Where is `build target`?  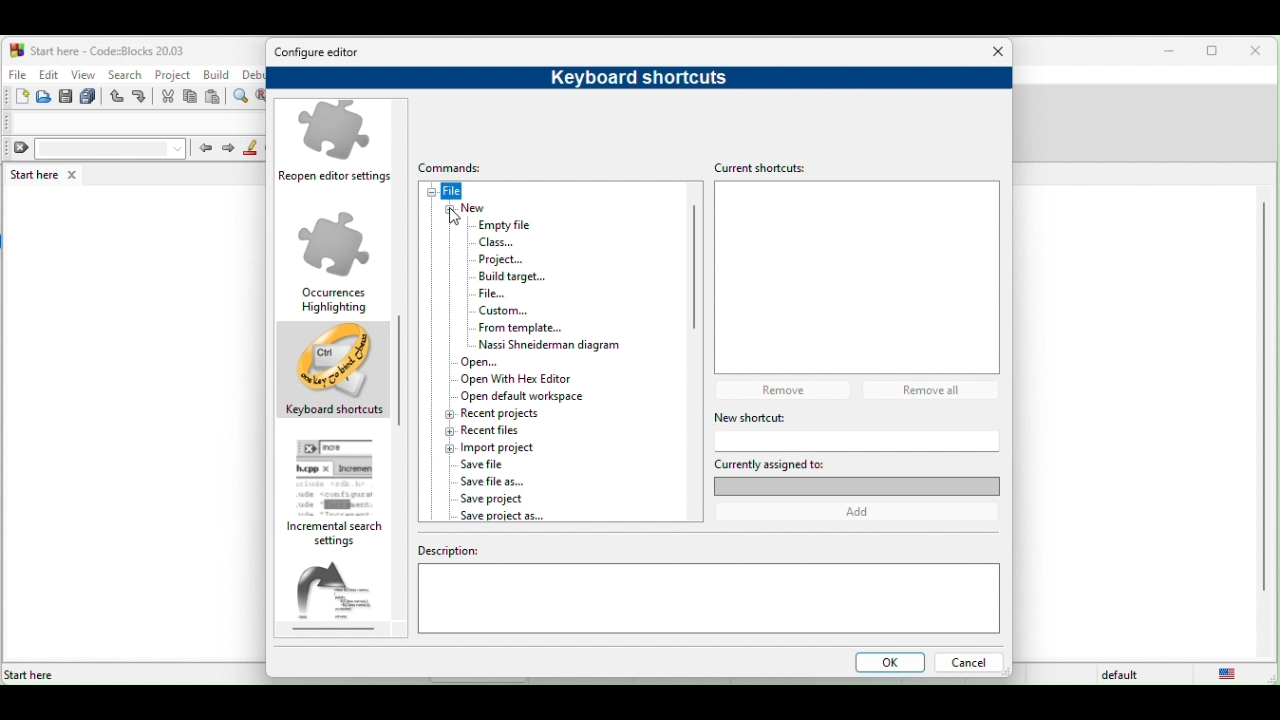 build target is located at coordinates (513, 277).